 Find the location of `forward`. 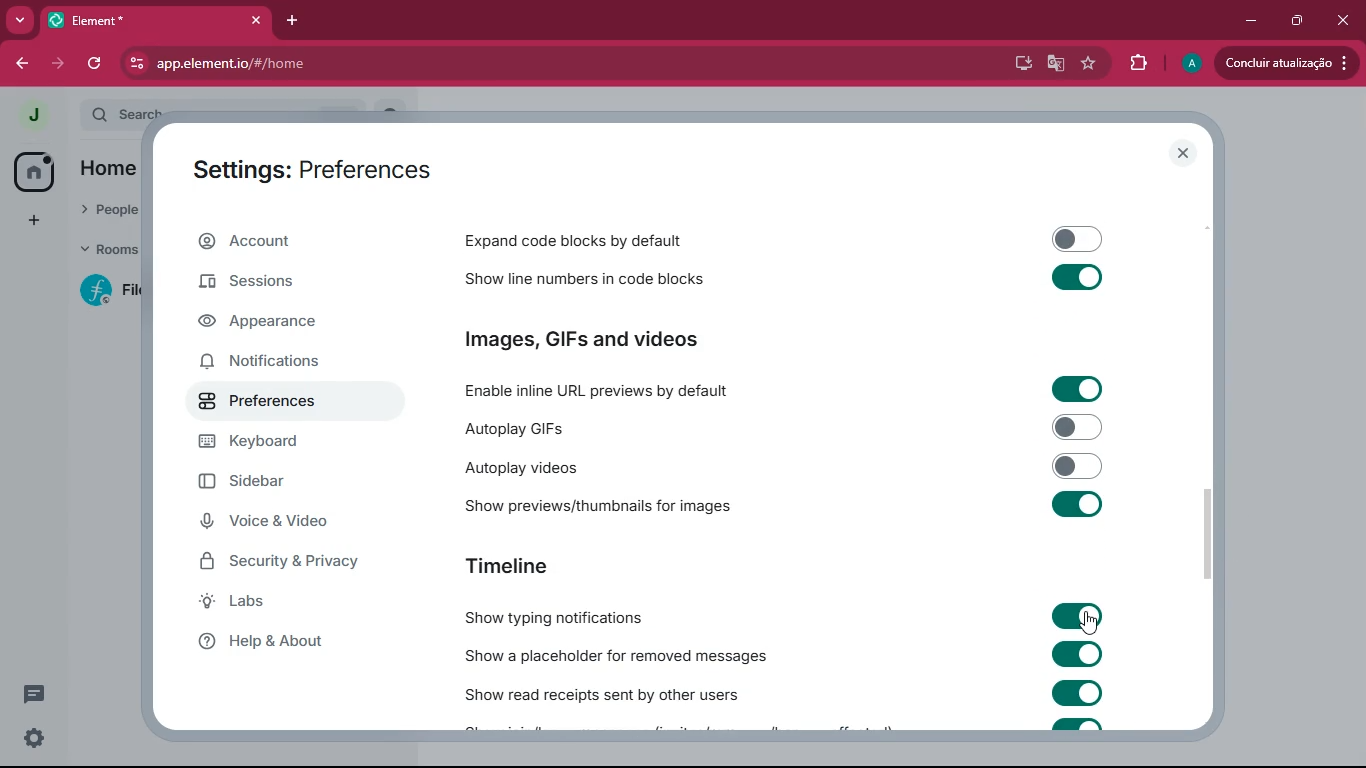

forward is located at coordinates (20, 65).